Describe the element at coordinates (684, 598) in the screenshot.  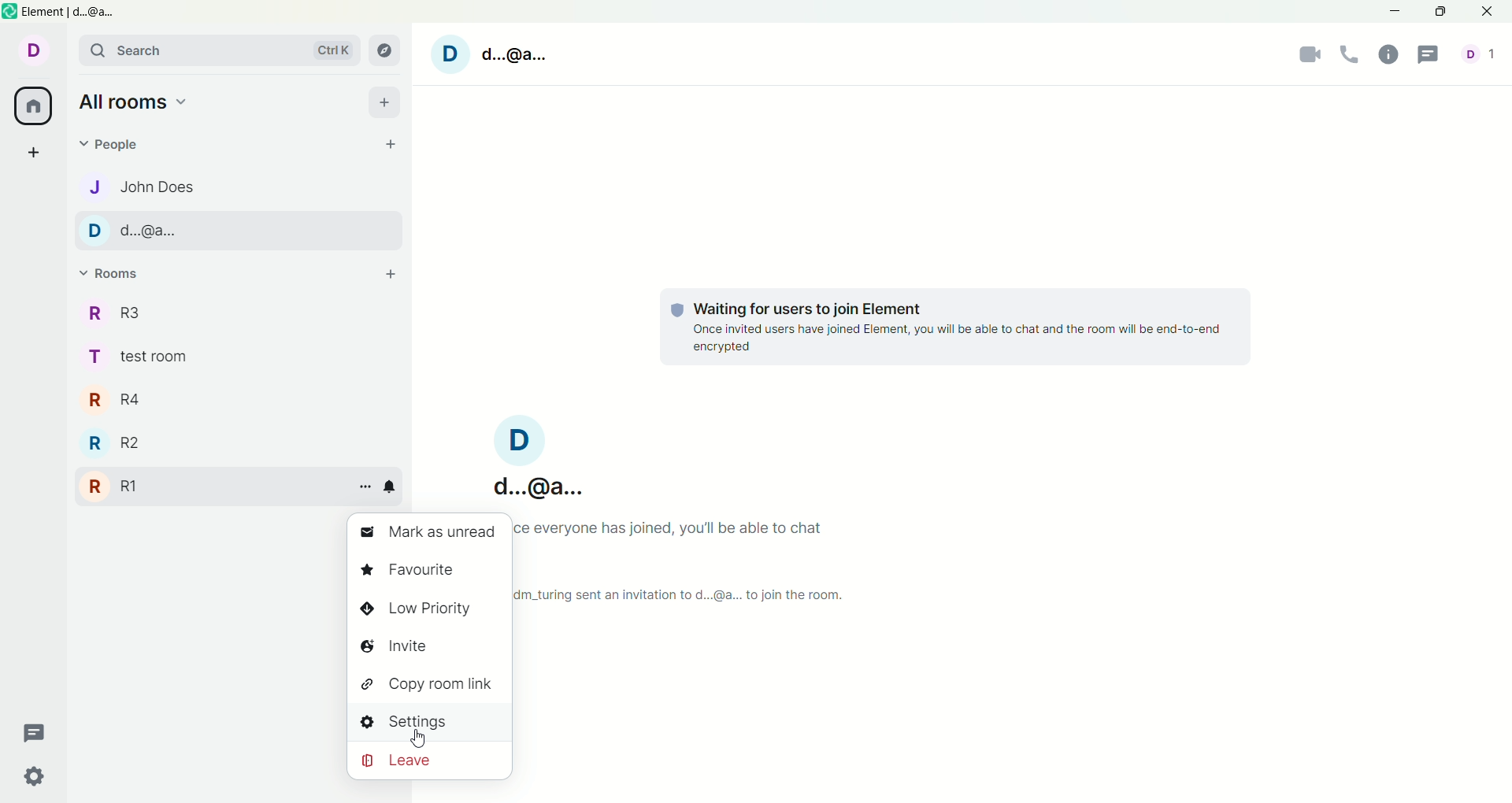
I see `Im_turing sent an invitation to d...@a... to join the room.` at that location.